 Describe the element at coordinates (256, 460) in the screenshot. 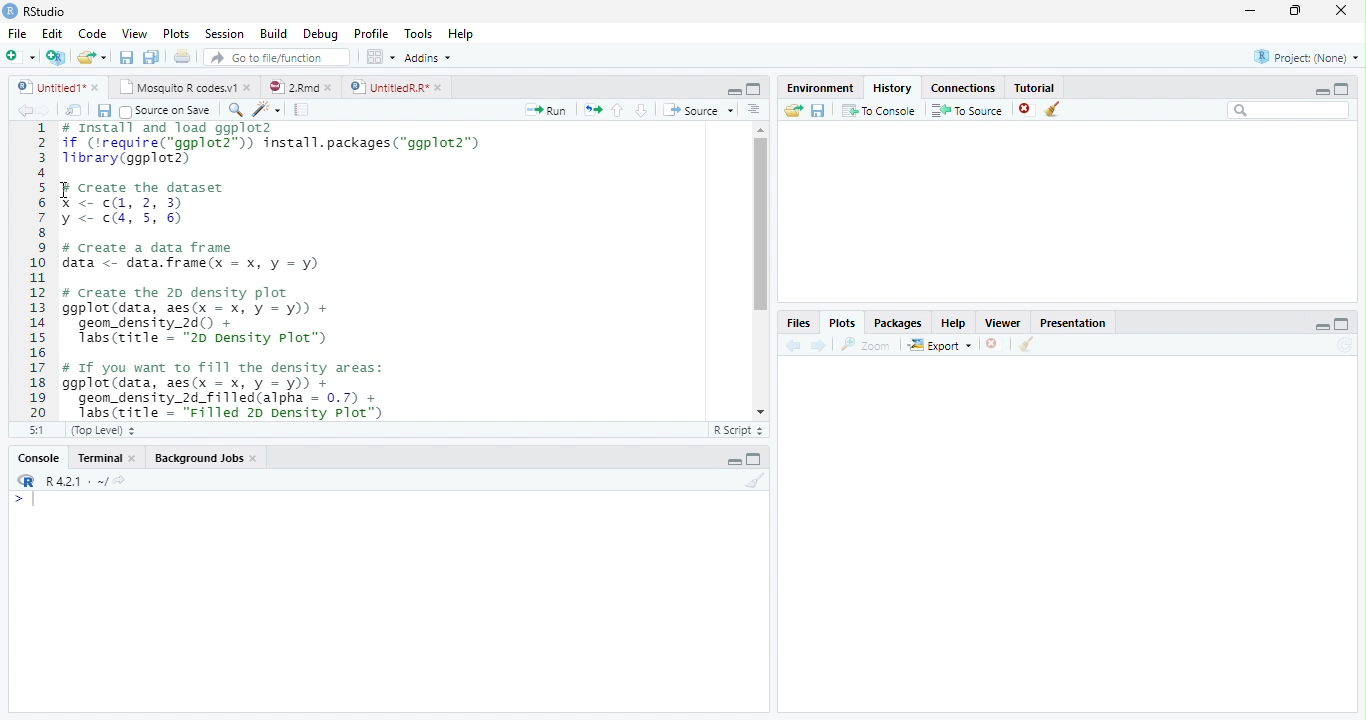

I see `close` at that location.